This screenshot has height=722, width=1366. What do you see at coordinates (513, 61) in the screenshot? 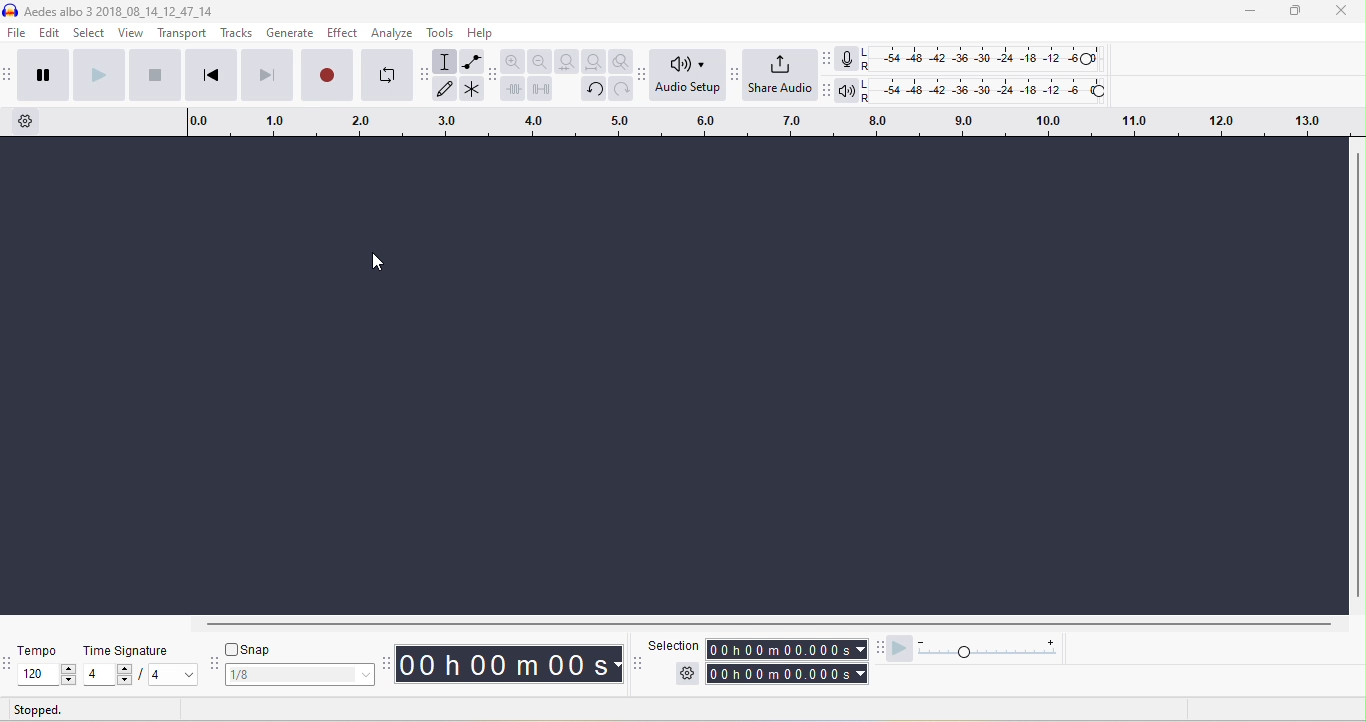
I see `zoom in` at bounding box center [513, 61].